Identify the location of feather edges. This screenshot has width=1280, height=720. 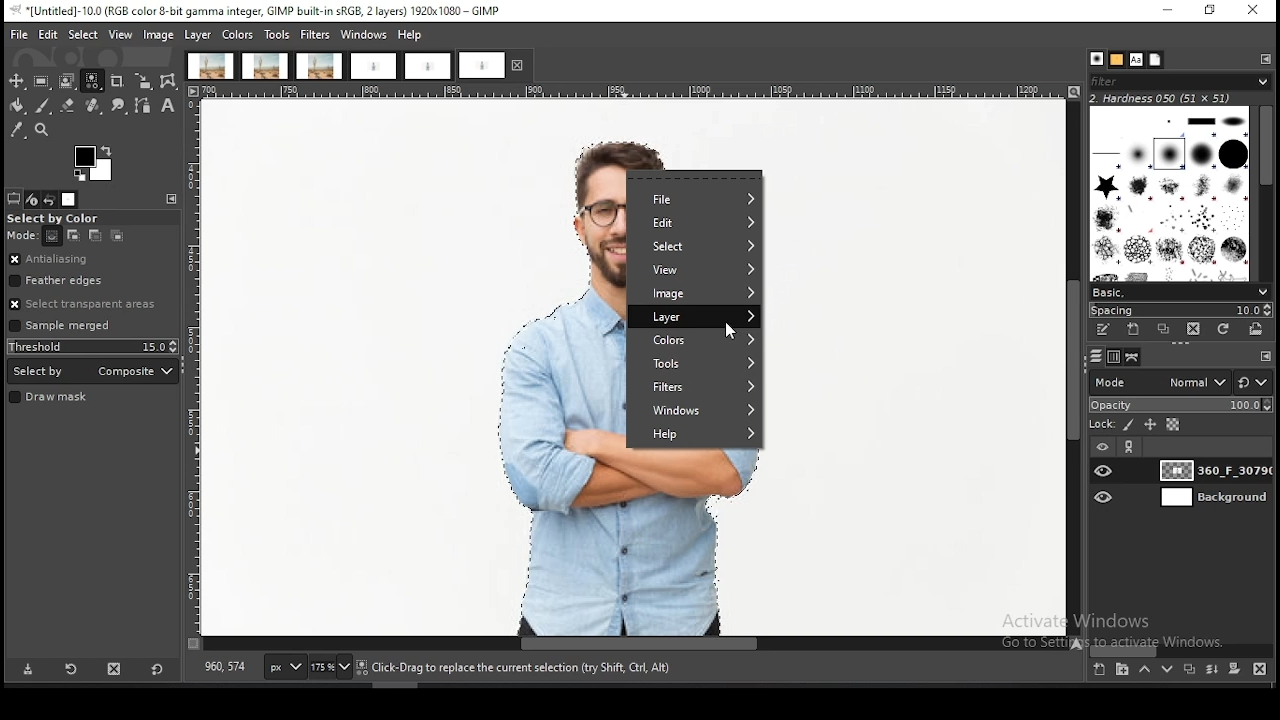
(94, 280).